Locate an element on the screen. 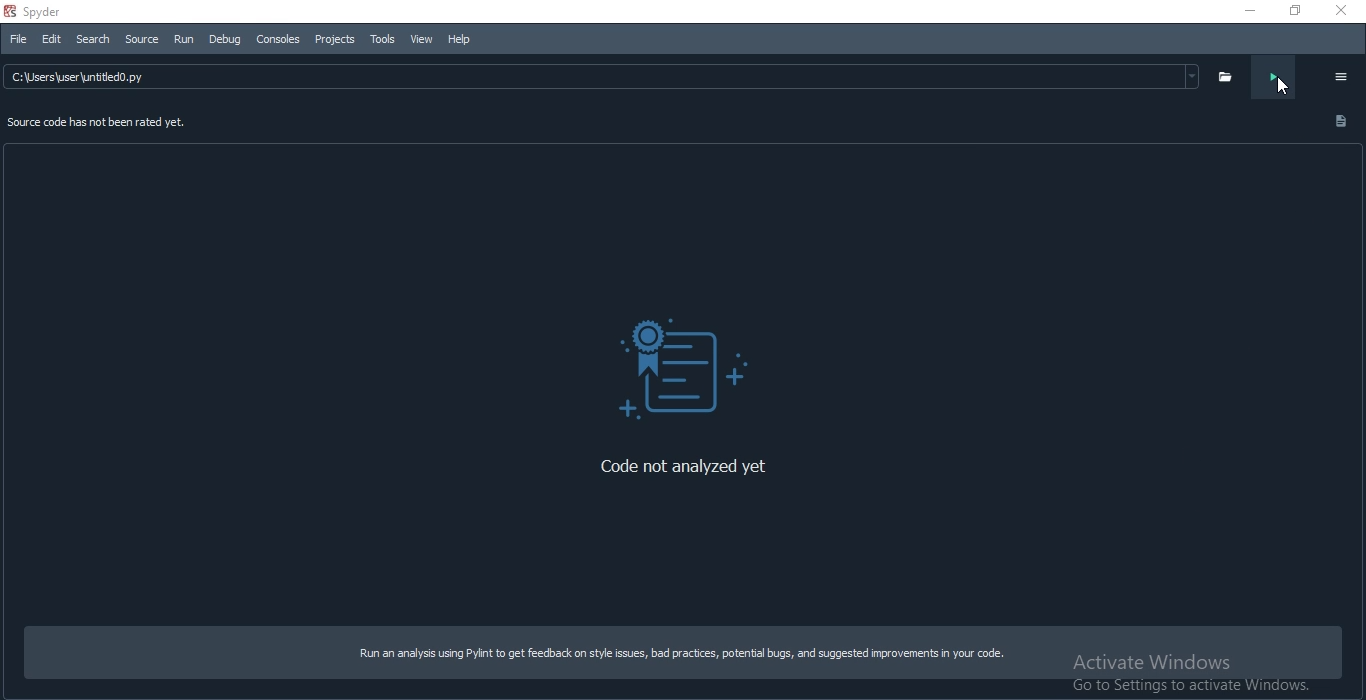  Source is located at coordinates (140, 38).